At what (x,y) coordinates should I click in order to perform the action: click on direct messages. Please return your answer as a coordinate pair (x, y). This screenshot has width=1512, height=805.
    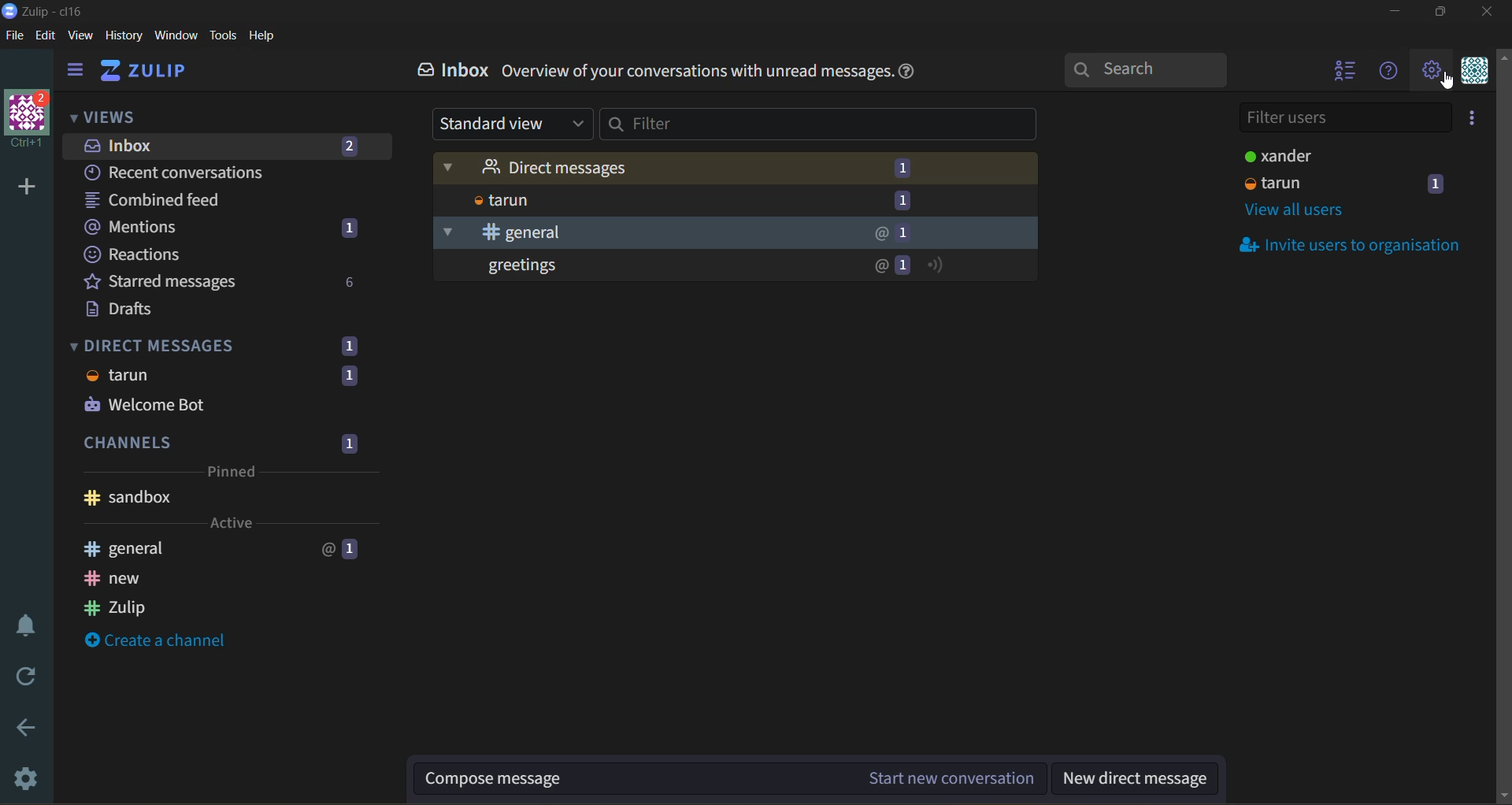
    Looking at the image, I should click on (216, 347).